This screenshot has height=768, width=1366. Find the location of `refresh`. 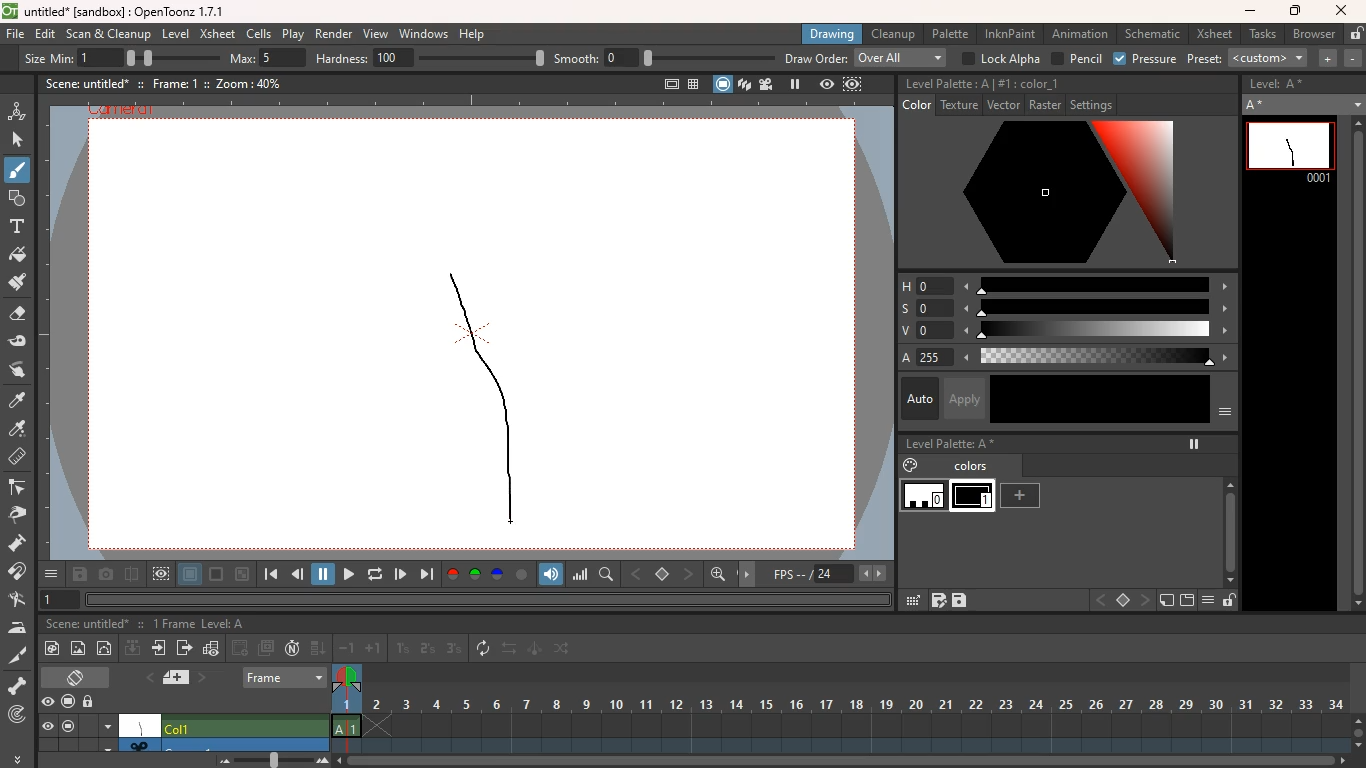

refresh is located at coordinates (372, 574).